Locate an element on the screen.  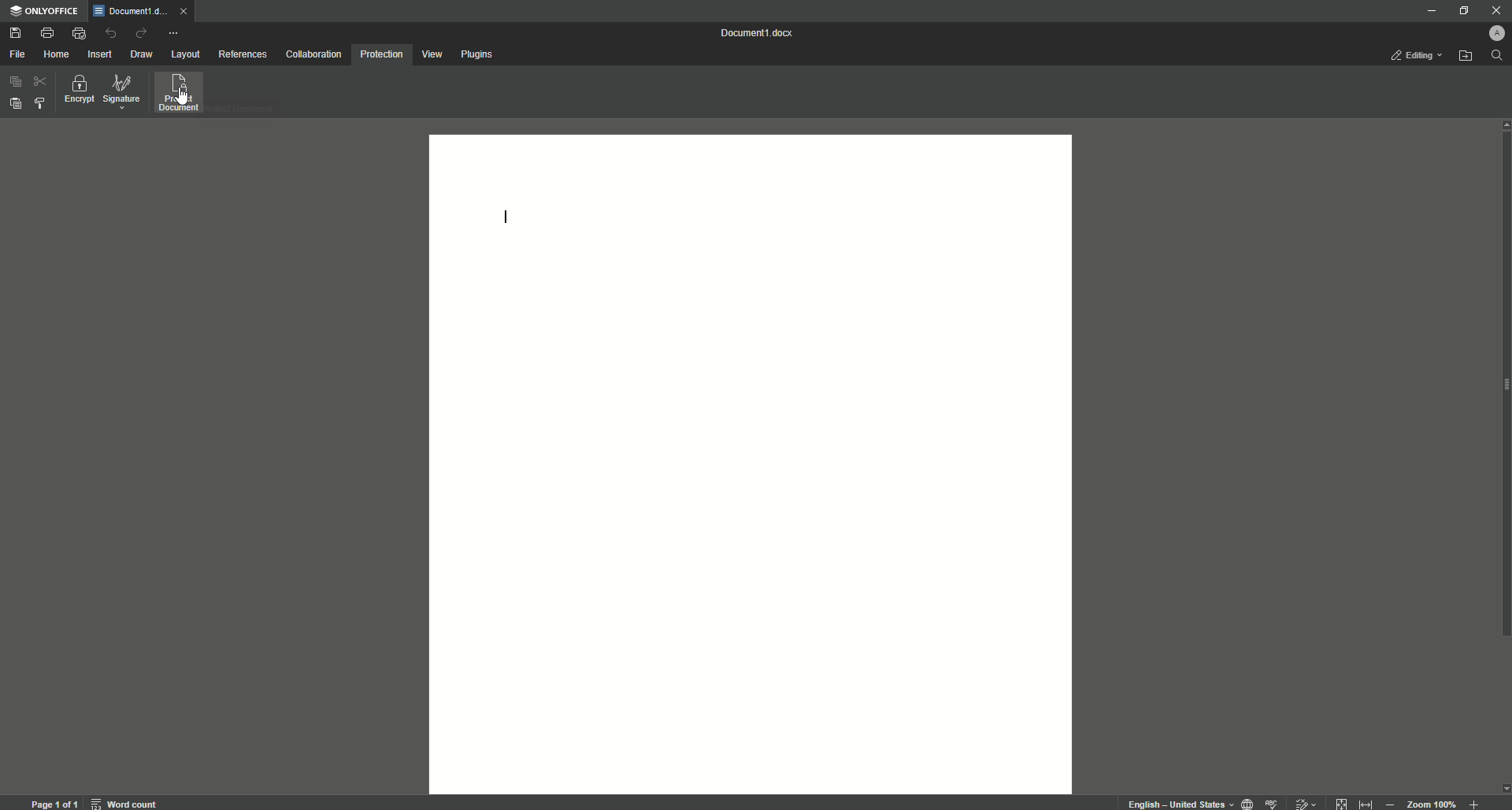
Text line is located at coordinates (506, 220).